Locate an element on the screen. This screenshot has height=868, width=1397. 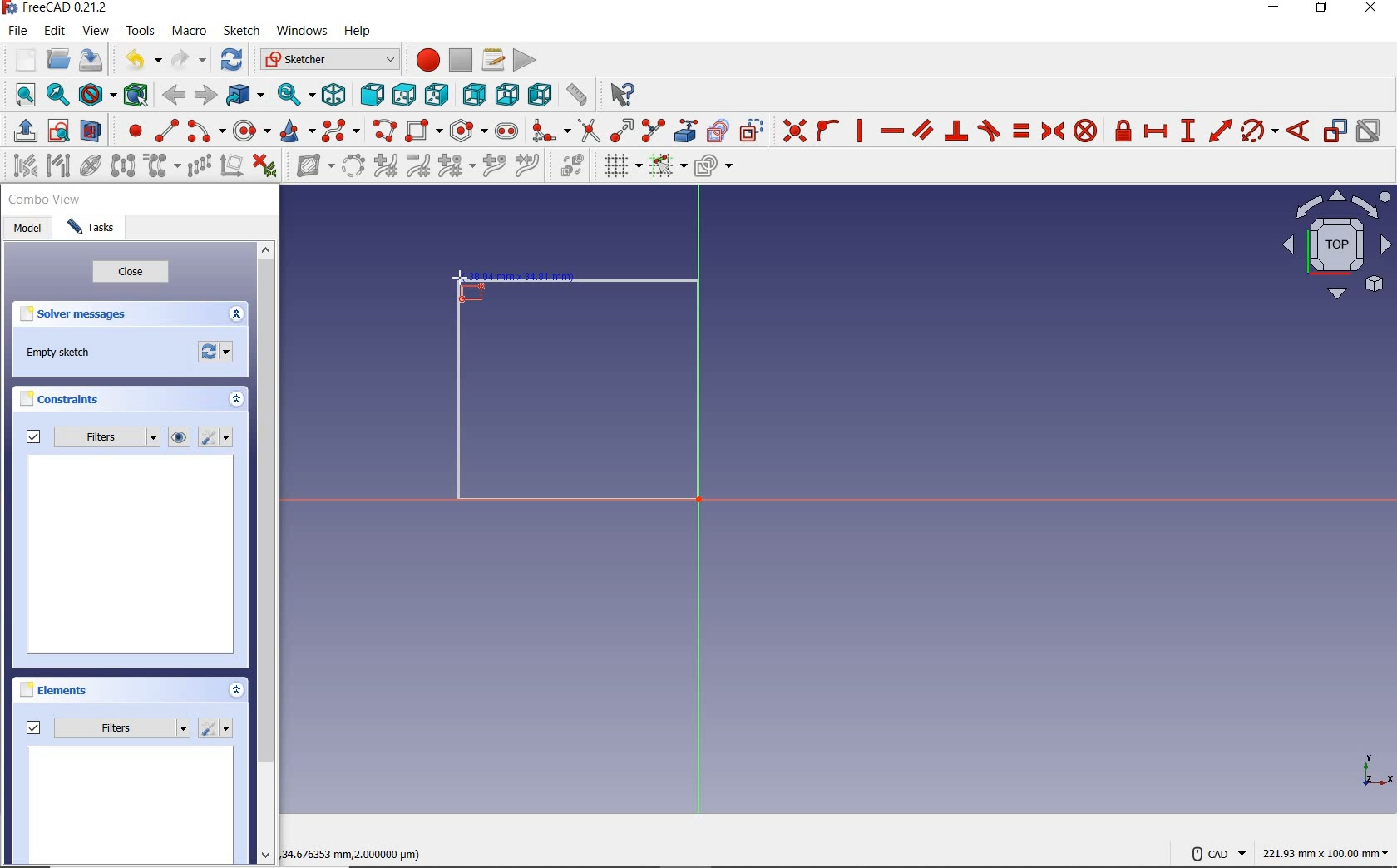
forward is located at coordinates (204, 94).